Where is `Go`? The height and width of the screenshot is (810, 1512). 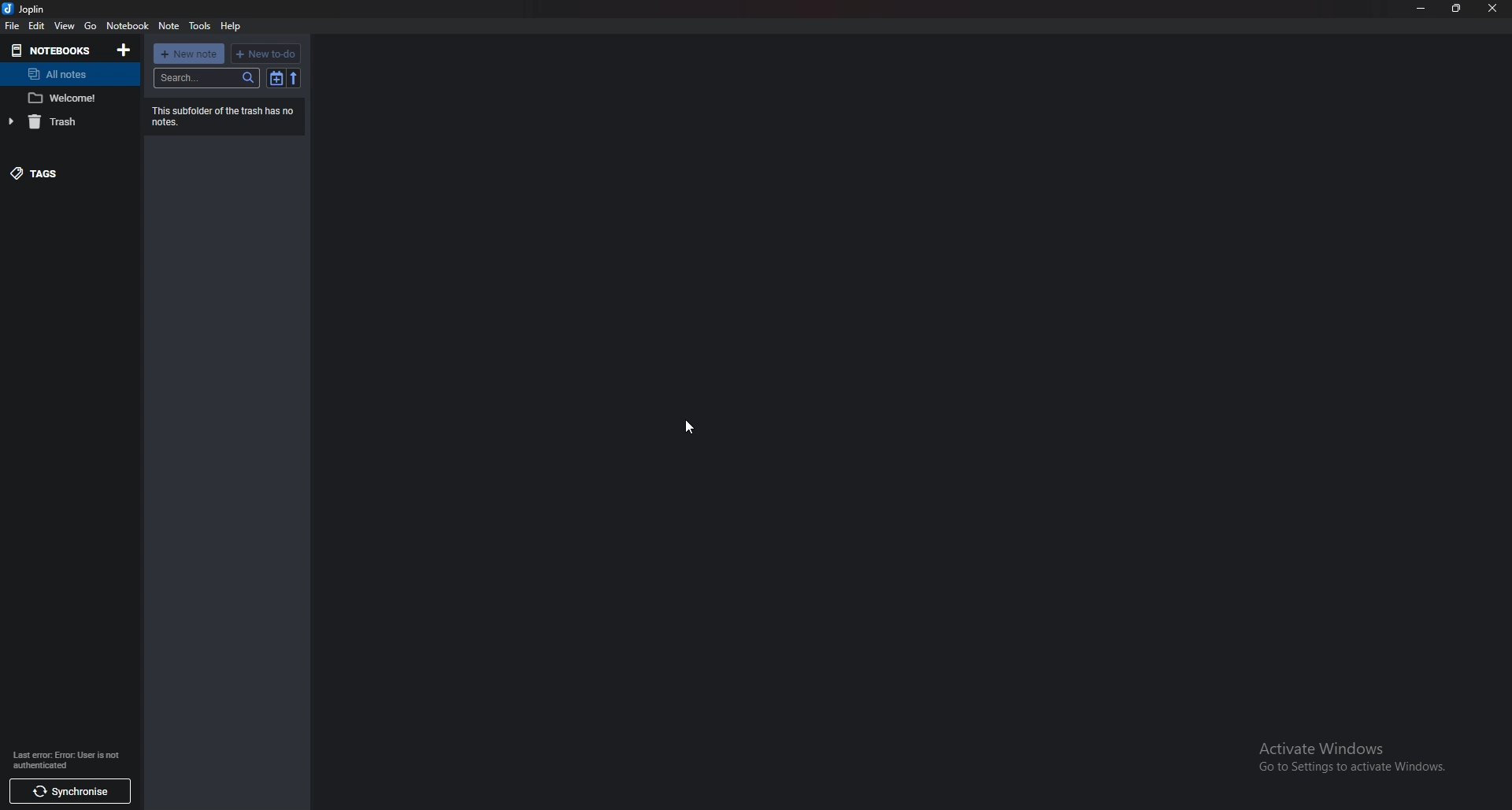
Go is located at coordinates (91, 27).